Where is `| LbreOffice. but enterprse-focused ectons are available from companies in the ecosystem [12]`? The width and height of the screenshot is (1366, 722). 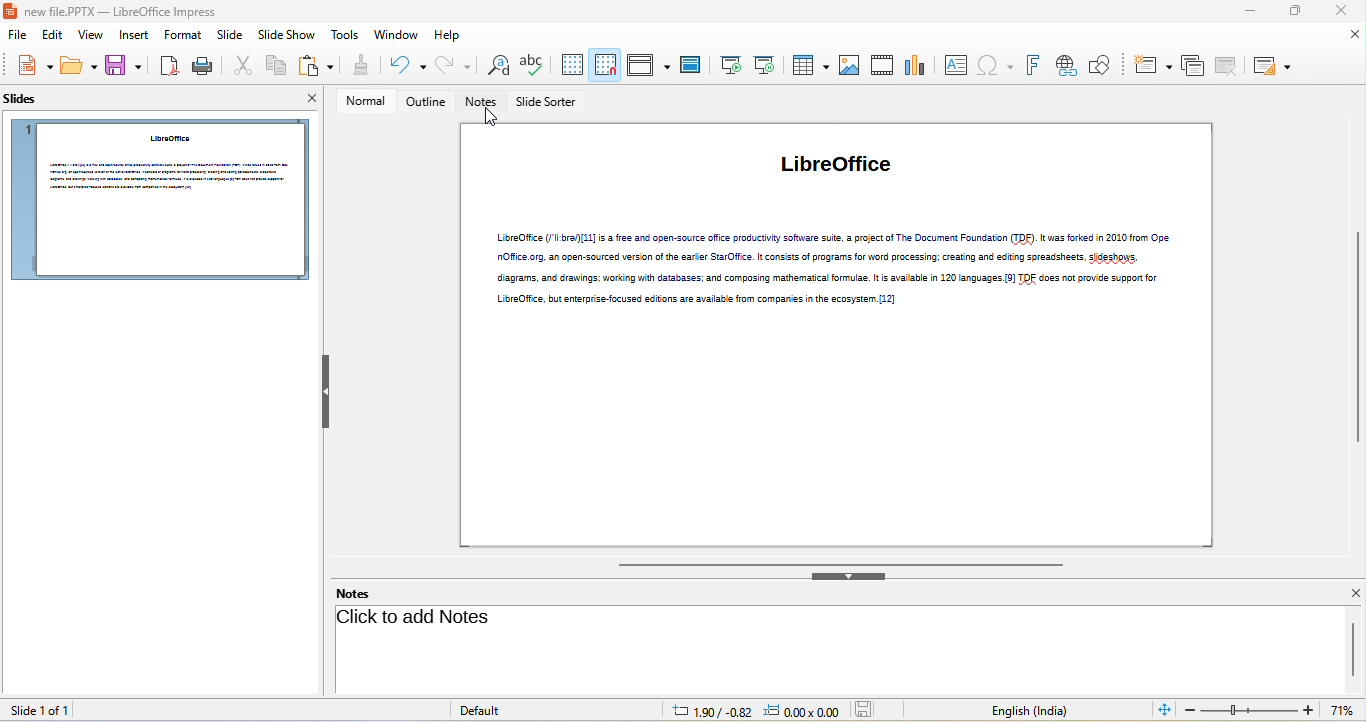 | LbreOffice. but enterprse-focused ectons are available from companies in the ecosystem [12] is located at coordinates (695, 301).